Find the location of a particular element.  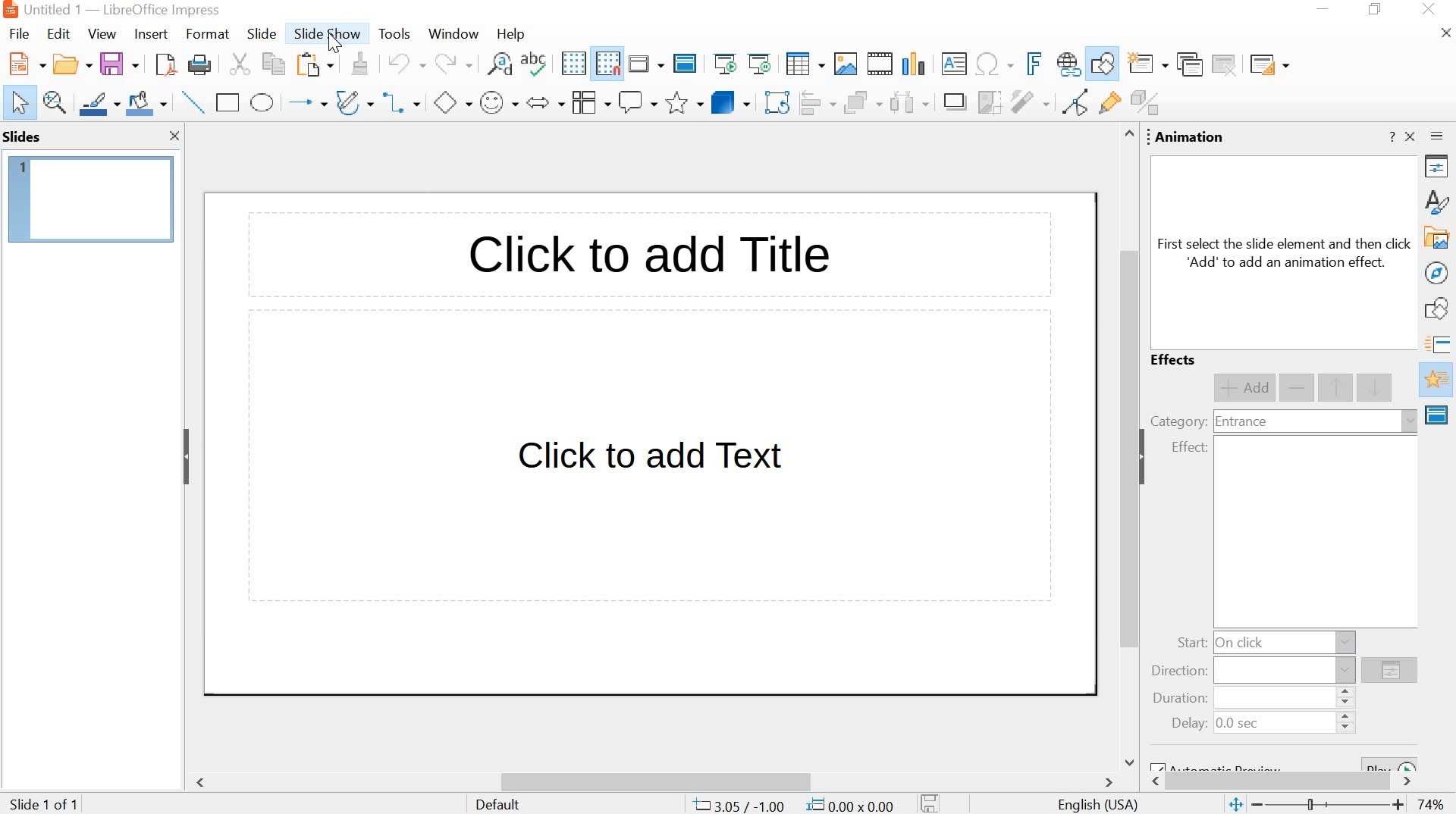

open is located at coordinates (70, 65).